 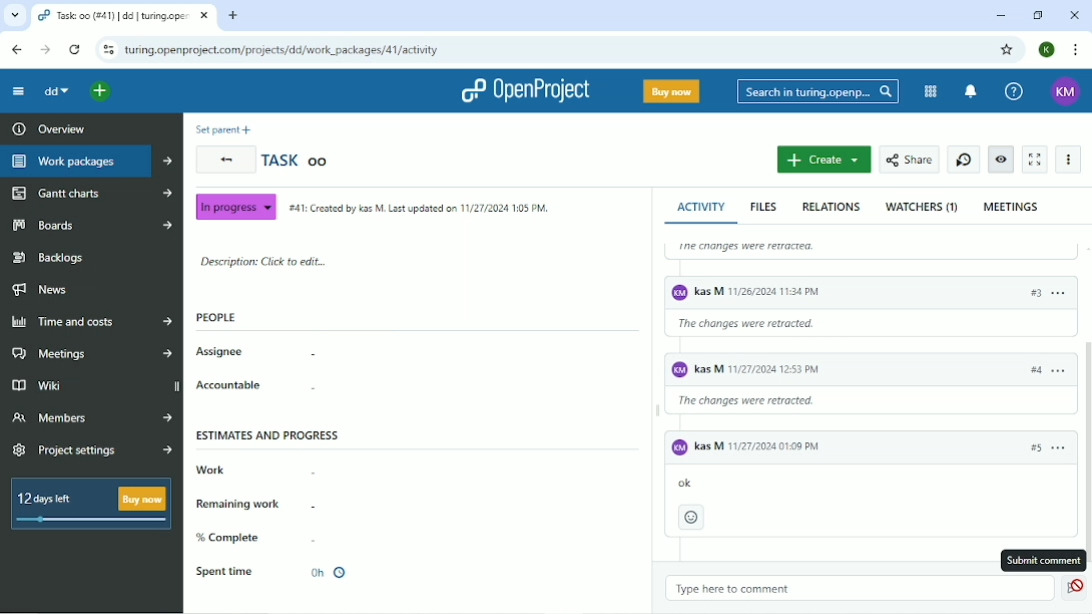 I want to click on #41: Created by Kas M. Last updated on 11/27/2024 1:05 PM, so click(x=417, y=207).